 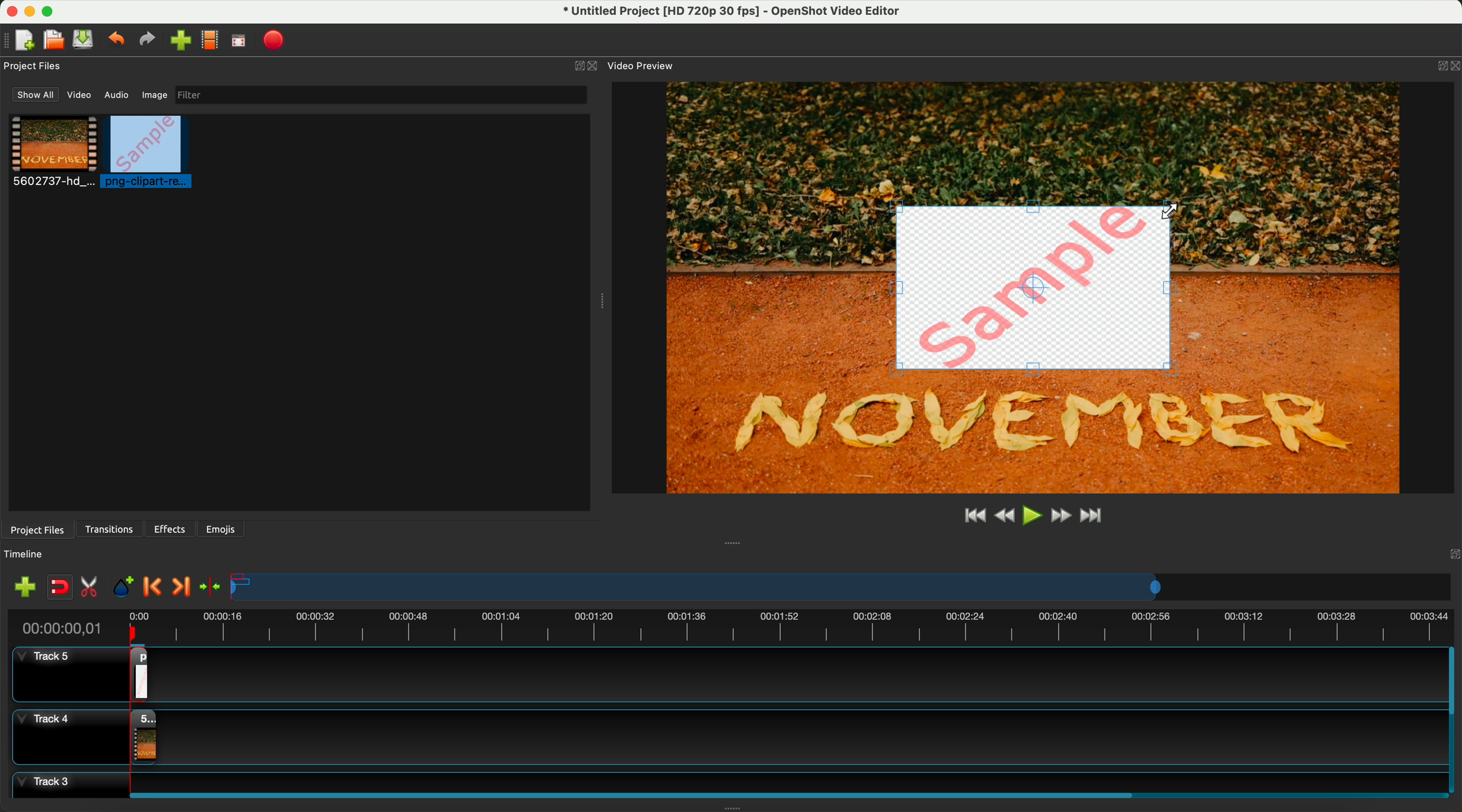 What do you see at coordinates (30, 14) in the screenshot?
I see `minimize` at bounding box center [30, 14].